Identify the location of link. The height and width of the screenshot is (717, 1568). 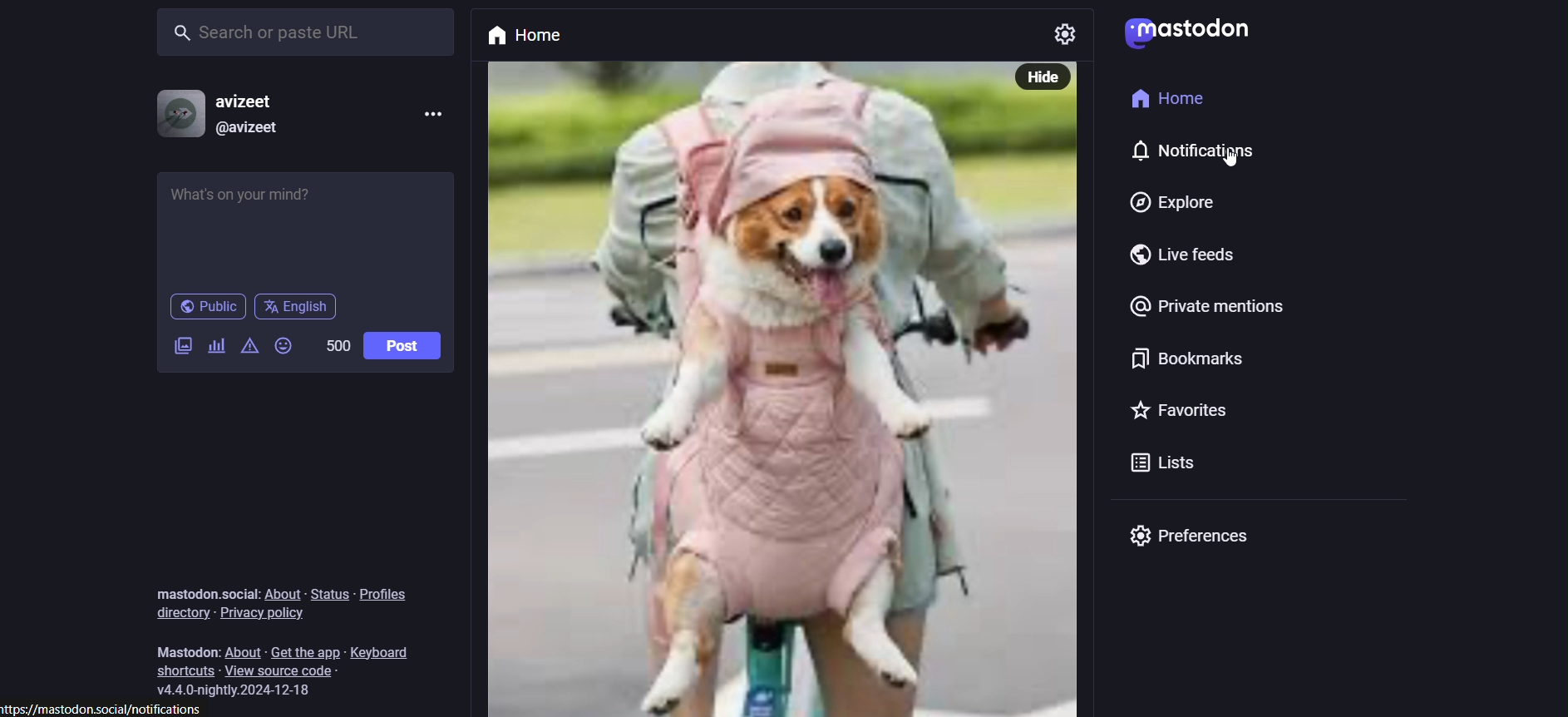
(108, 709).